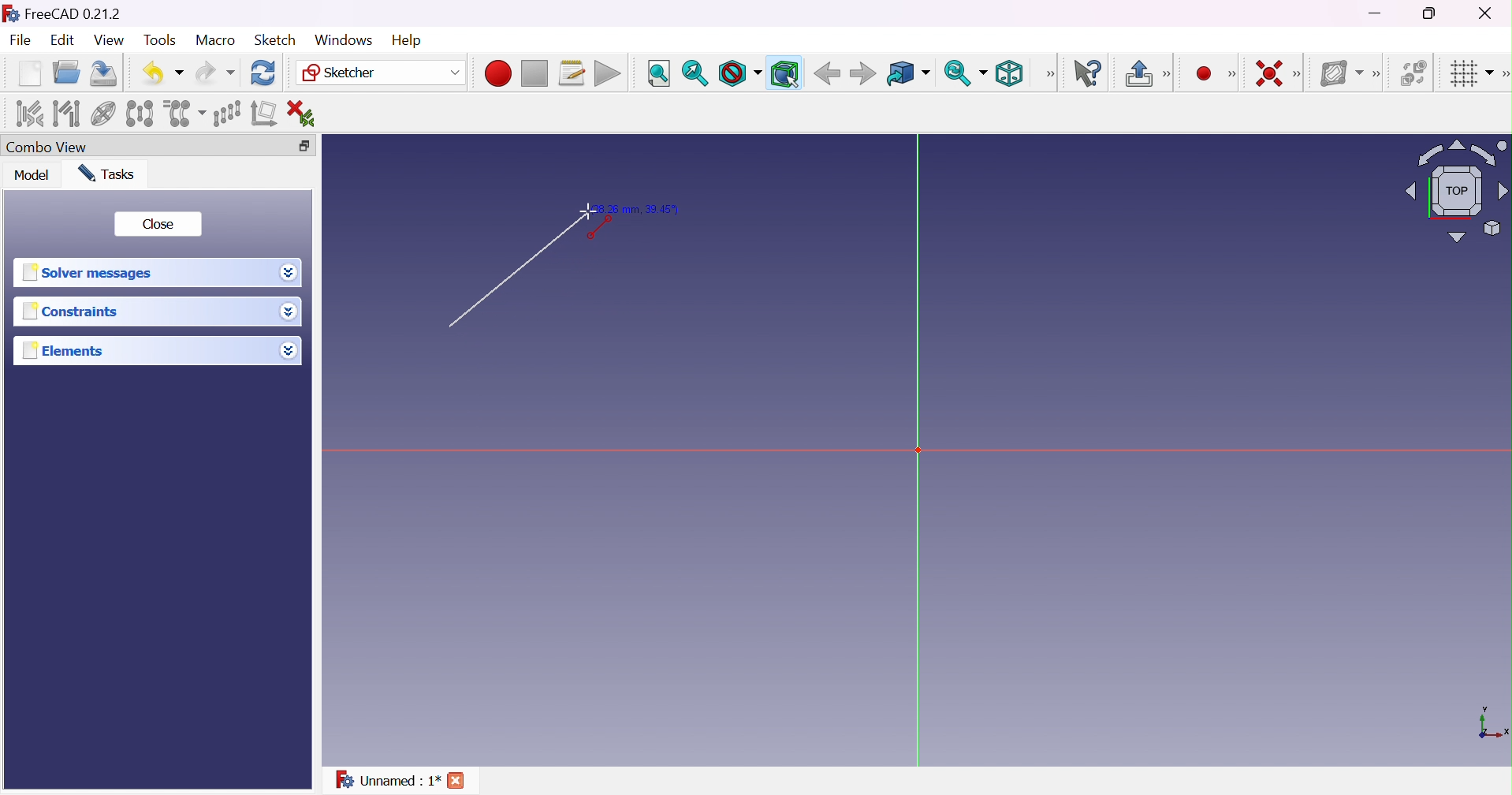 The height and width of the screenshot is (795, 1512). Describe the element at coordinates (264, 73) in the screenshot. I see `Refresh` at that location.